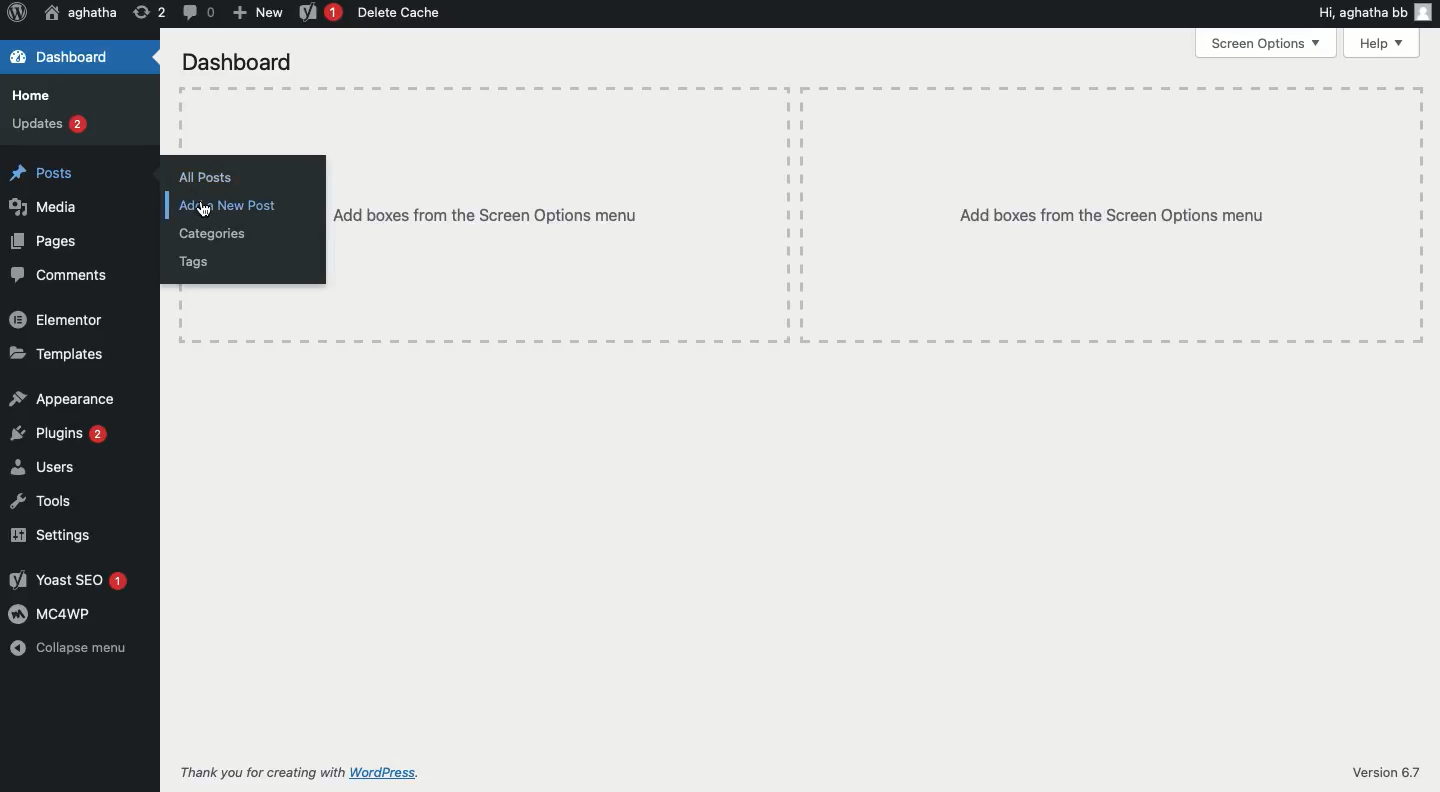 The width and height of the screenshot is (1440, 792). I want to click on Templates, so click(57, 354).